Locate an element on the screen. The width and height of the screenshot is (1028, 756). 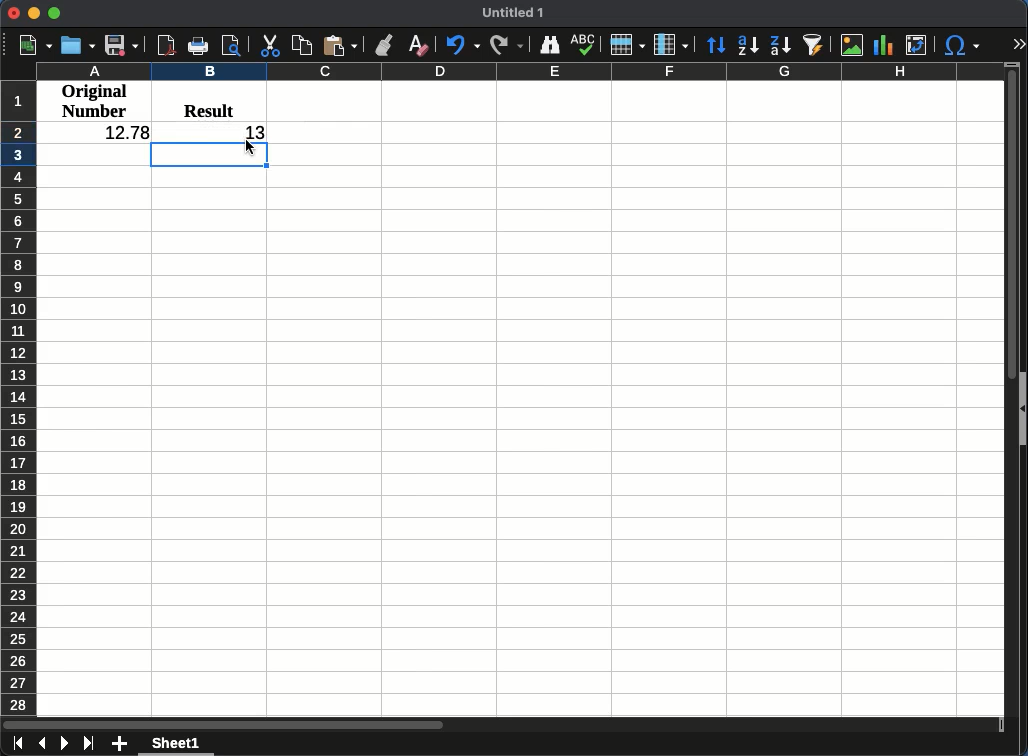
Column is located at coordinates (669, 45).